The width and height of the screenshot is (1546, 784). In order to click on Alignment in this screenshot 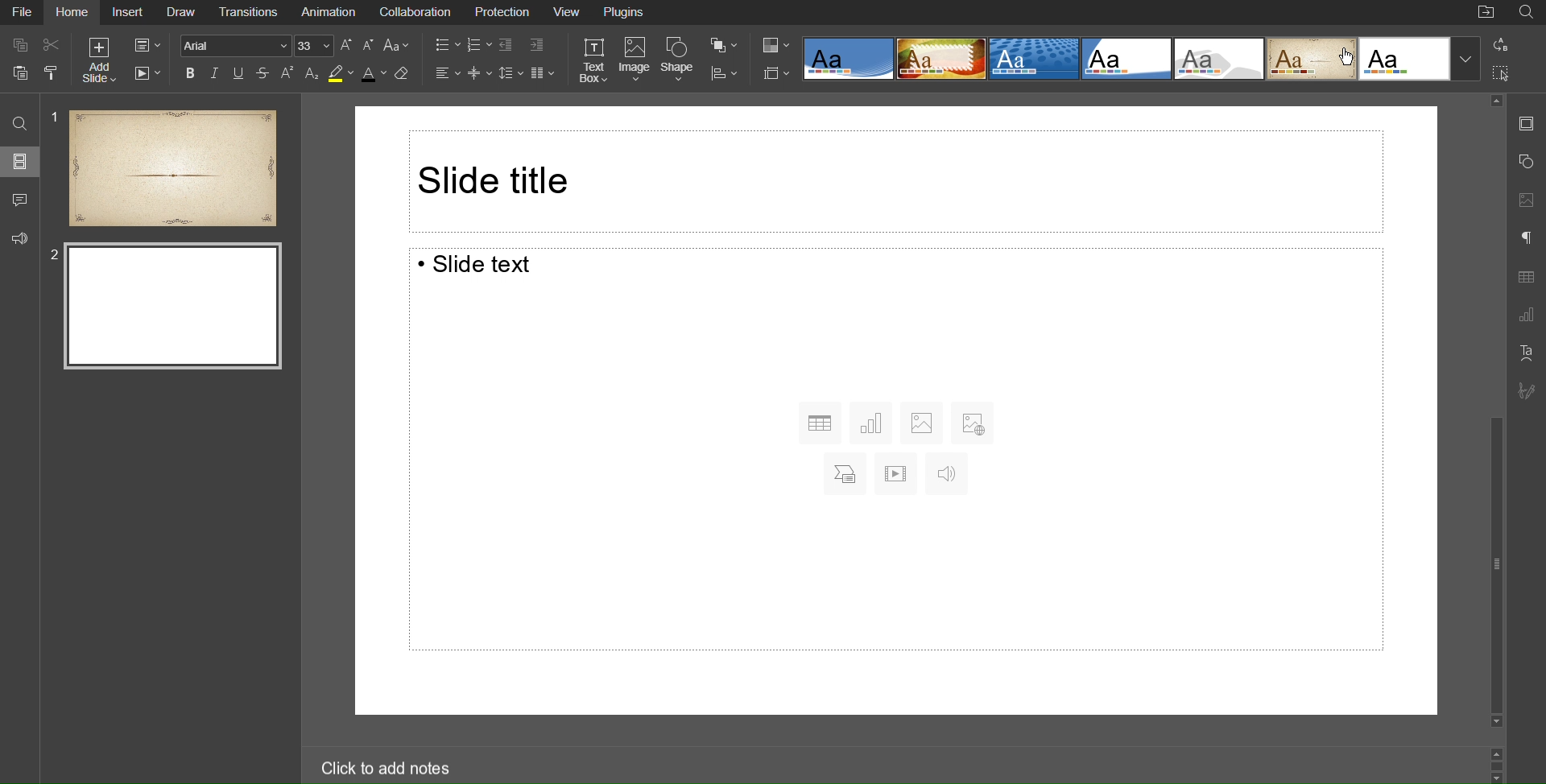, I will do `click(449, 73)`.